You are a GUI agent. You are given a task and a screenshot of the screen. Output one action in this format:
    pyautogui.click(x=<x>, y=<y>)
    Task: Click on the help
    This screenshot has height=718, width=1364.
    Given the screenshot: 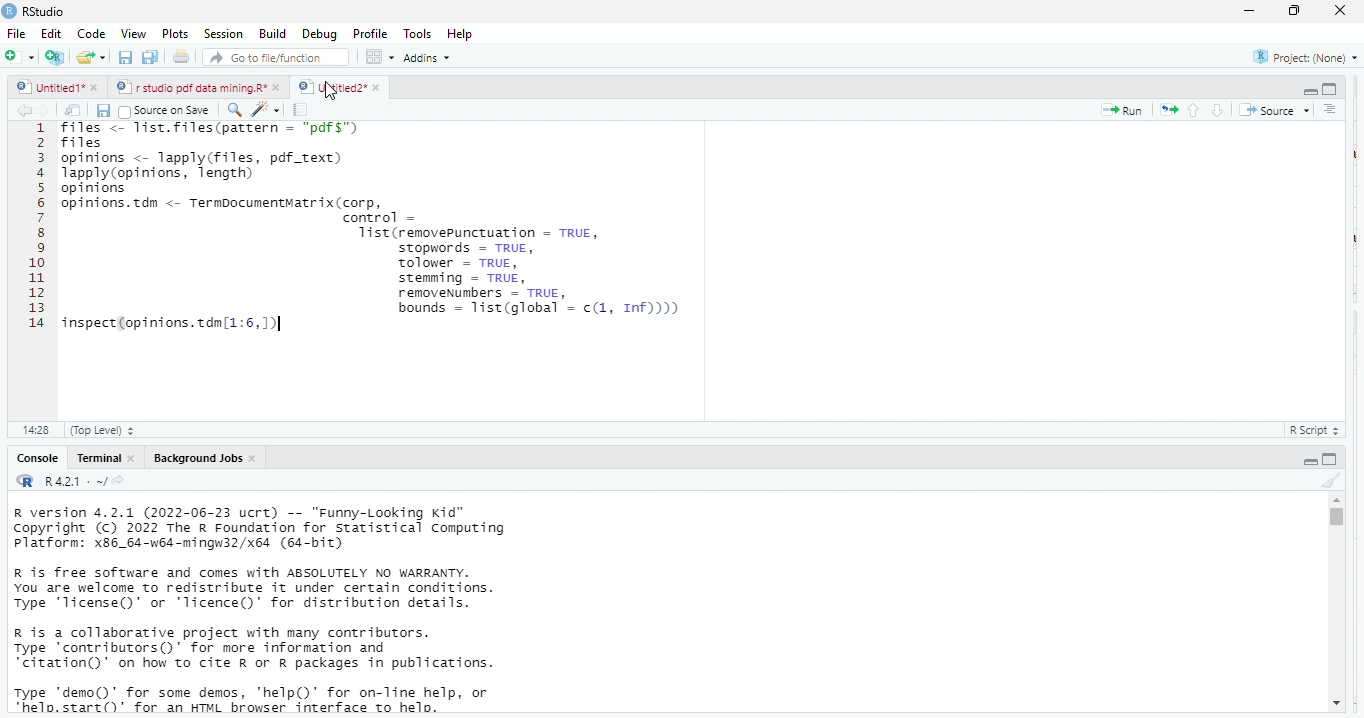 What is the action you would take?
    pyautogui.click(x=467, y=33)
    